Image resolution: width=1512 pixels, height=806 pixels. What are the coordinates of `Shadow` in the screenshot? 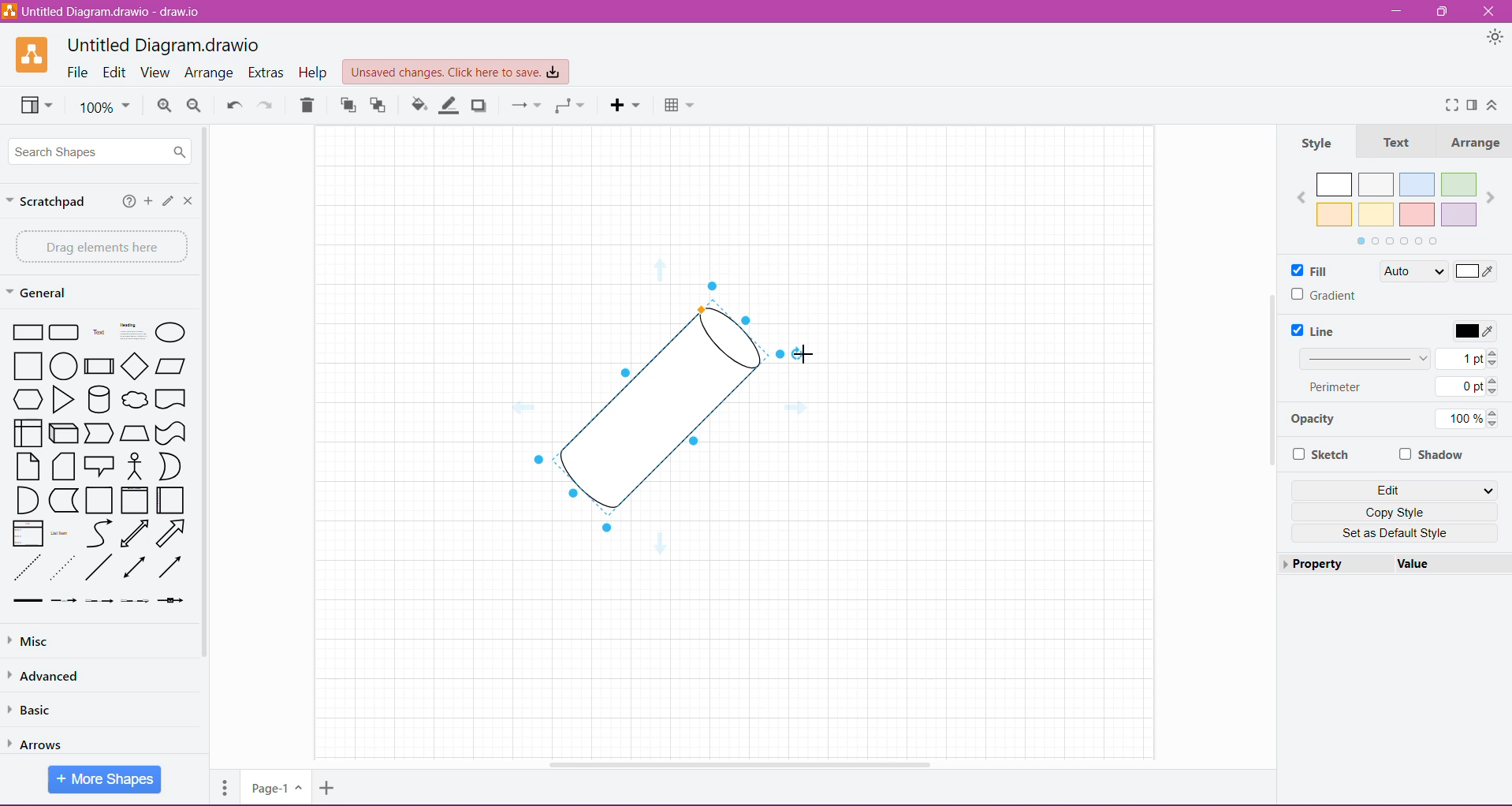 It's located at (482, 106).